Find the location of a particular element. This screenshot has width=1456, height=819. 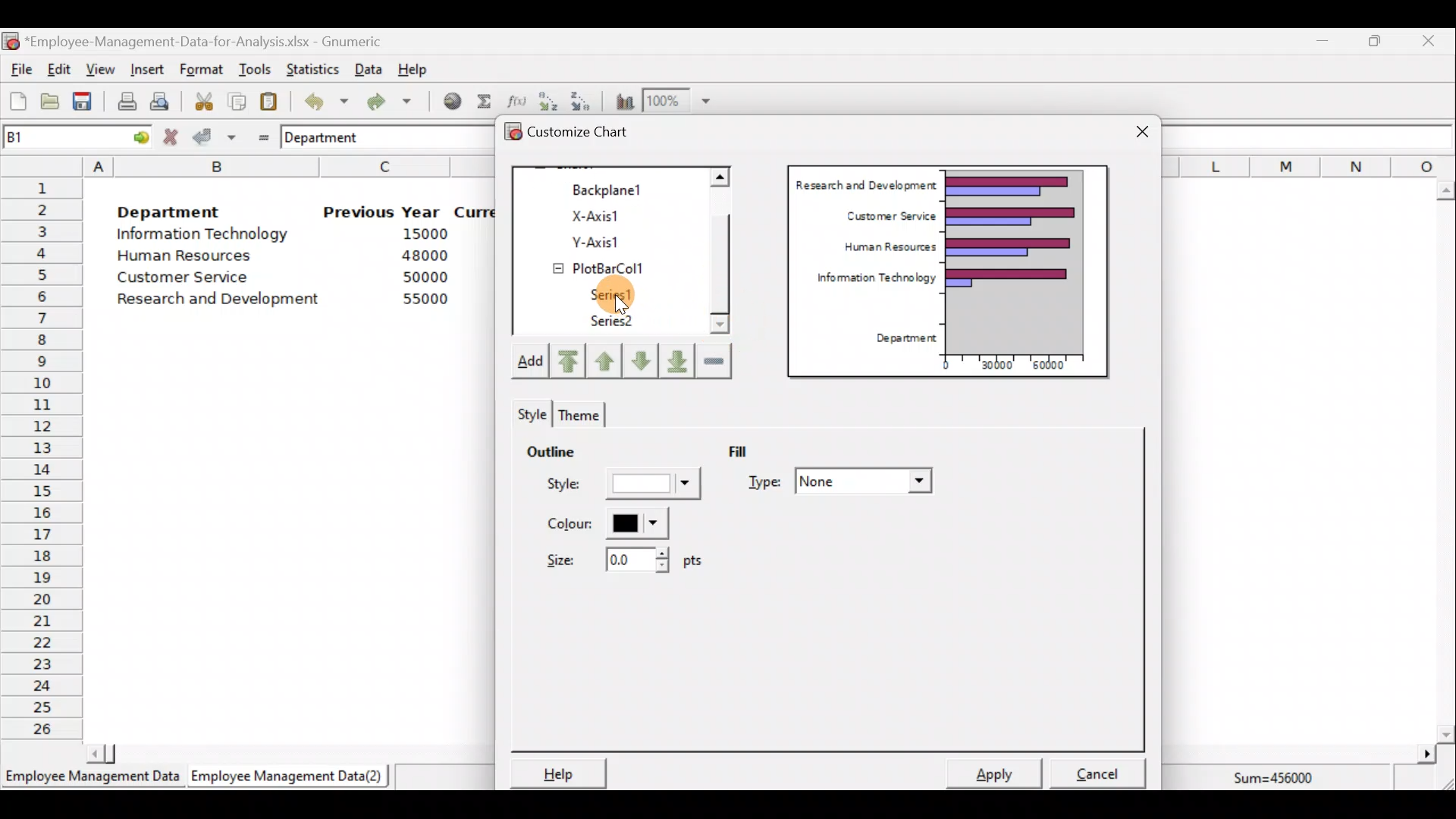

Department is located at coordinates (331, 136).